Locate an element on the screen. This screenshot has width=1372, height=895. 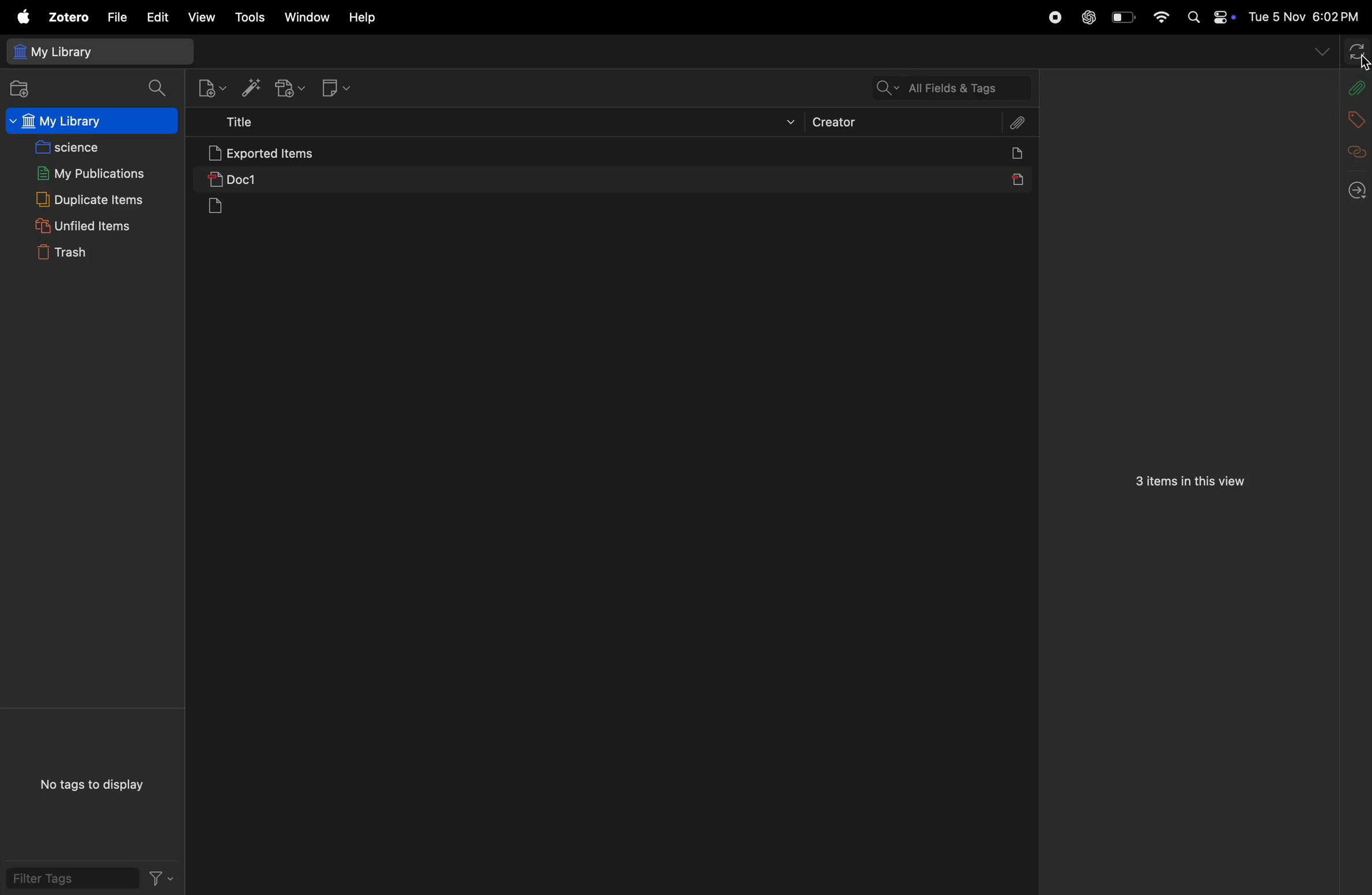
documents is located at coordinates (240, 208).